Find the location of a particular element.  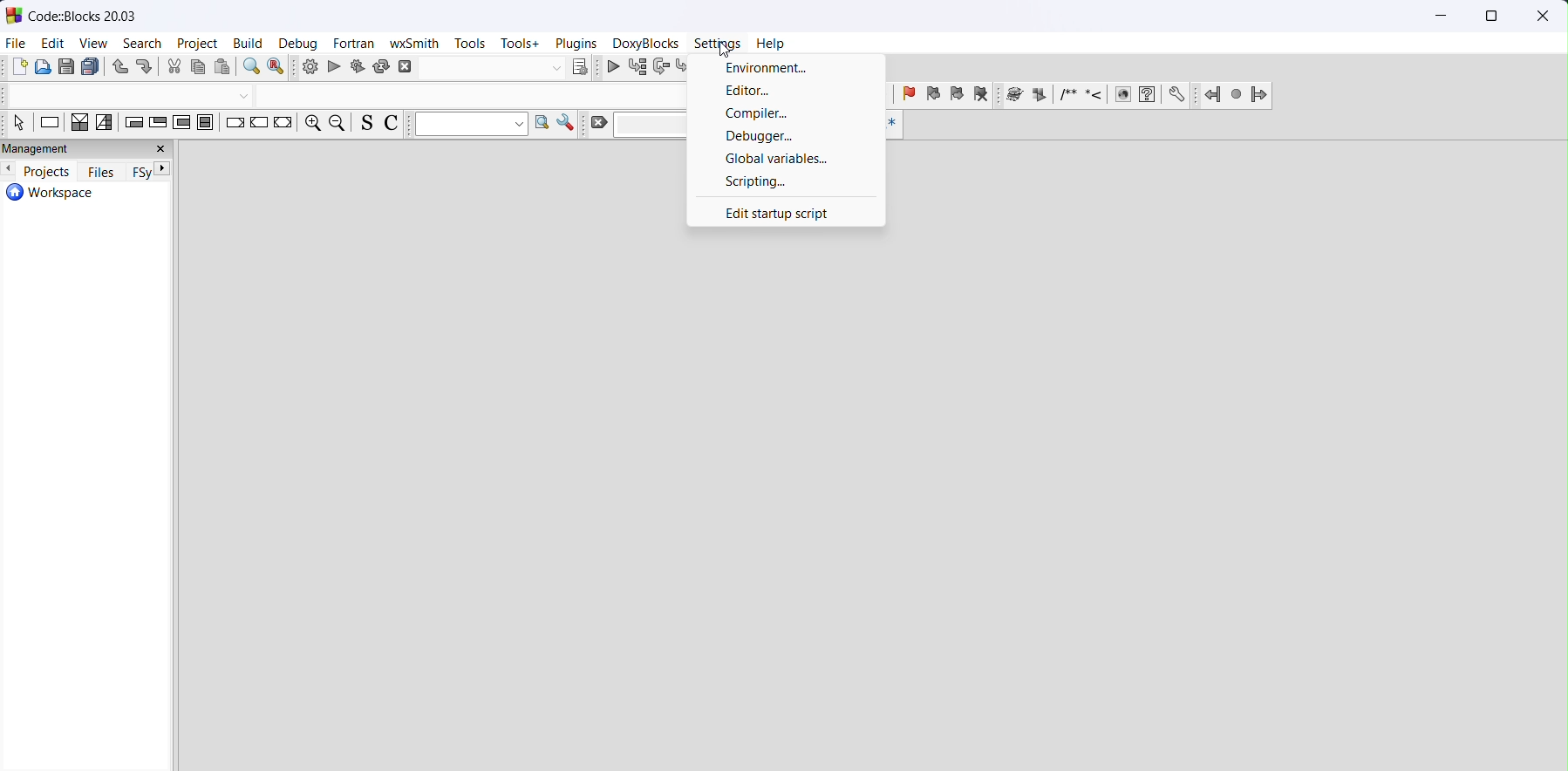

editor is located at coordinates (787, 93).